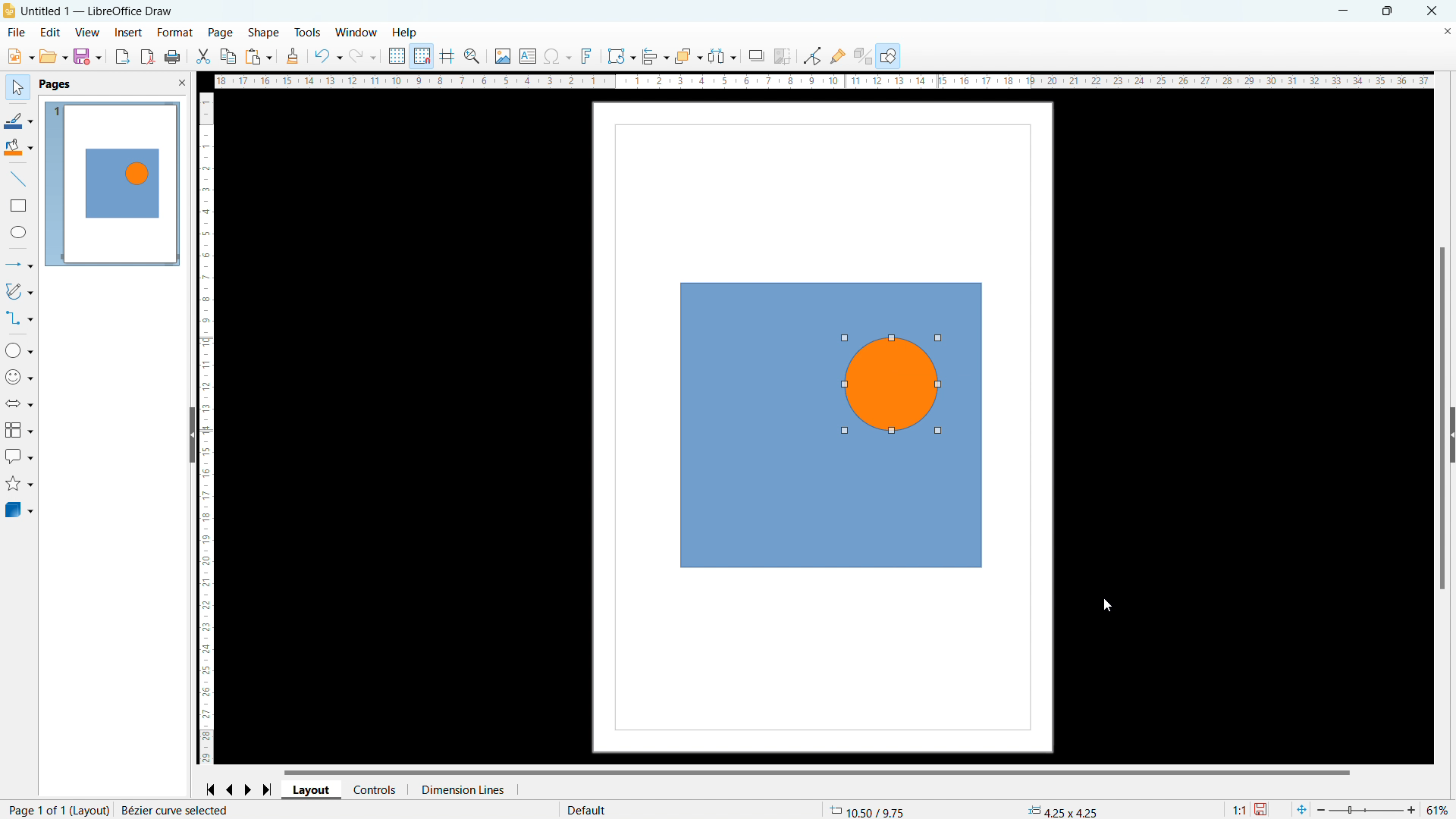 This screenshot has height=819, width=1456. What do you see at coordinates (210, 789) in the screenshot?
I see `go to first page` at bounding box center [210, 789].